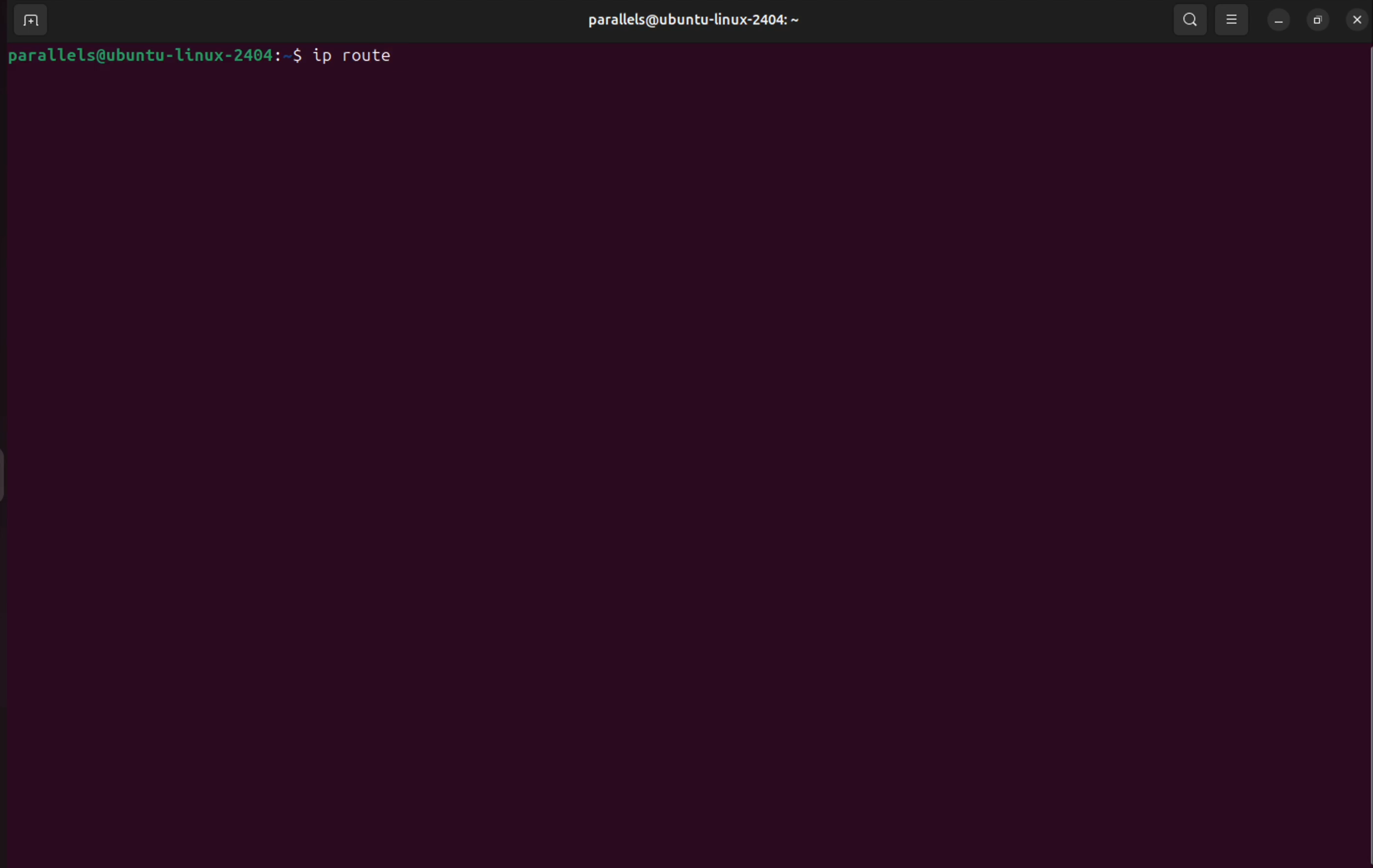 The width and height of the screenshot is (1373, 868). I want to click on ADD TERMINAL, so click(25, 22).